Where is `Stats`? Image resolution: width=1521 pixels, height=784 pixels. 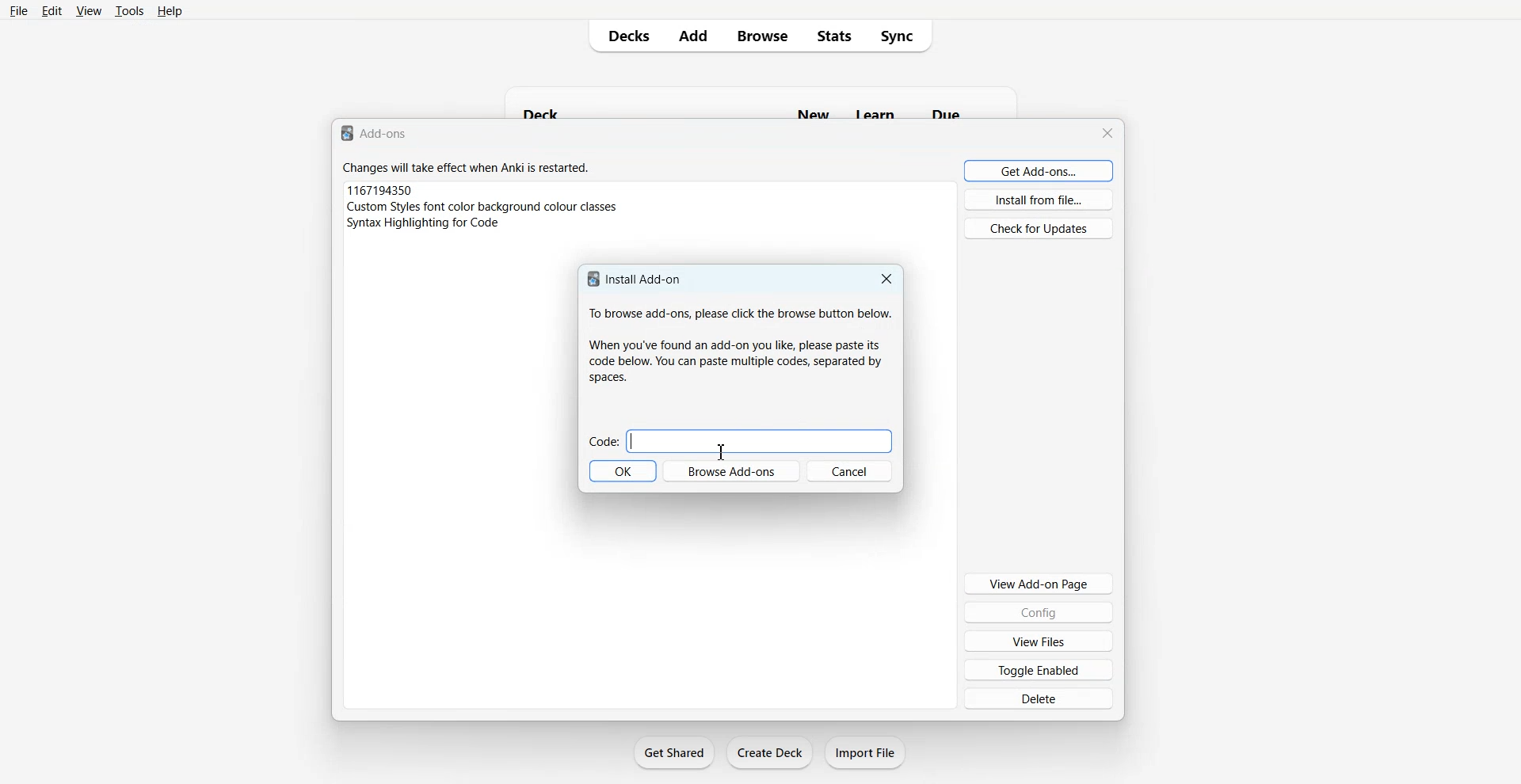
Stats is located at coordinates (834, 36).